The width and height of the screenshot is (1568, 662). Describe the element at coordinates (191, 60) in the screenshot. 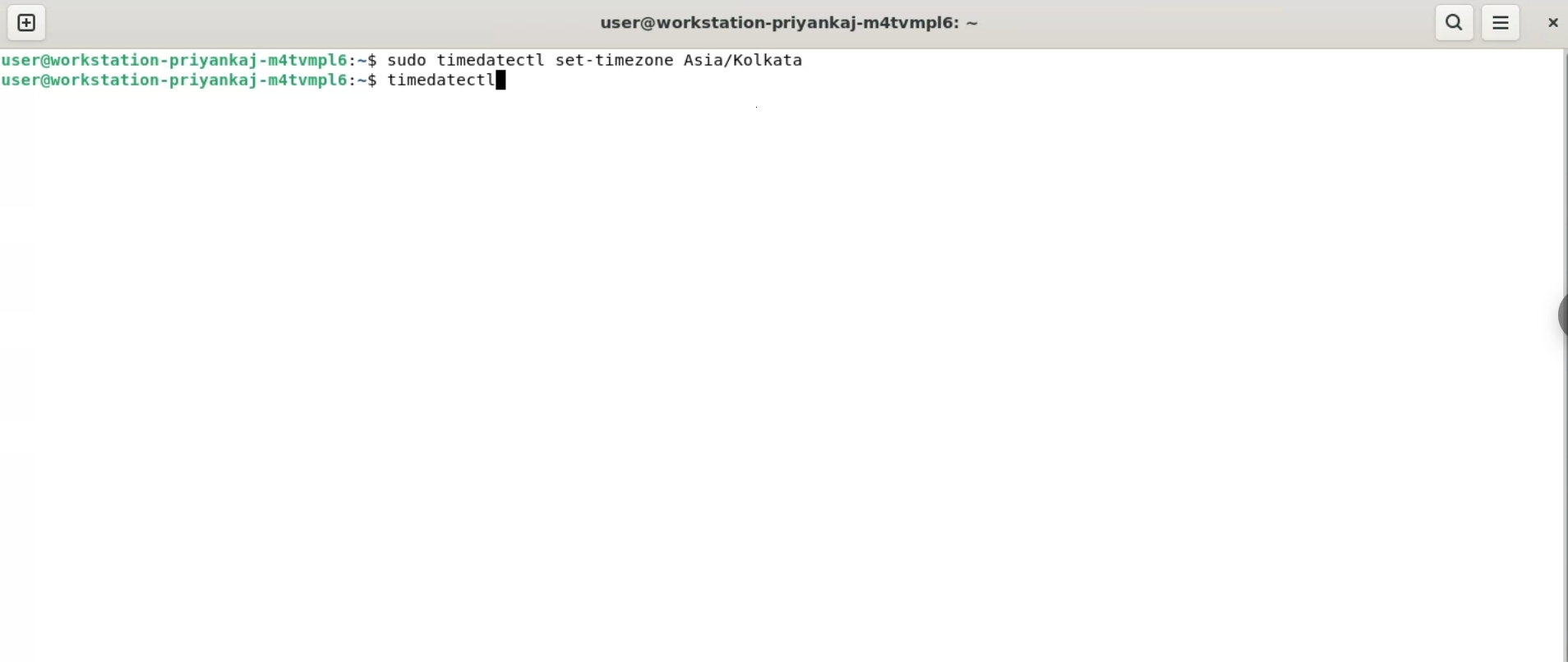

I see `user@workstation-priyankaj-matvmplé:~$` at that location.